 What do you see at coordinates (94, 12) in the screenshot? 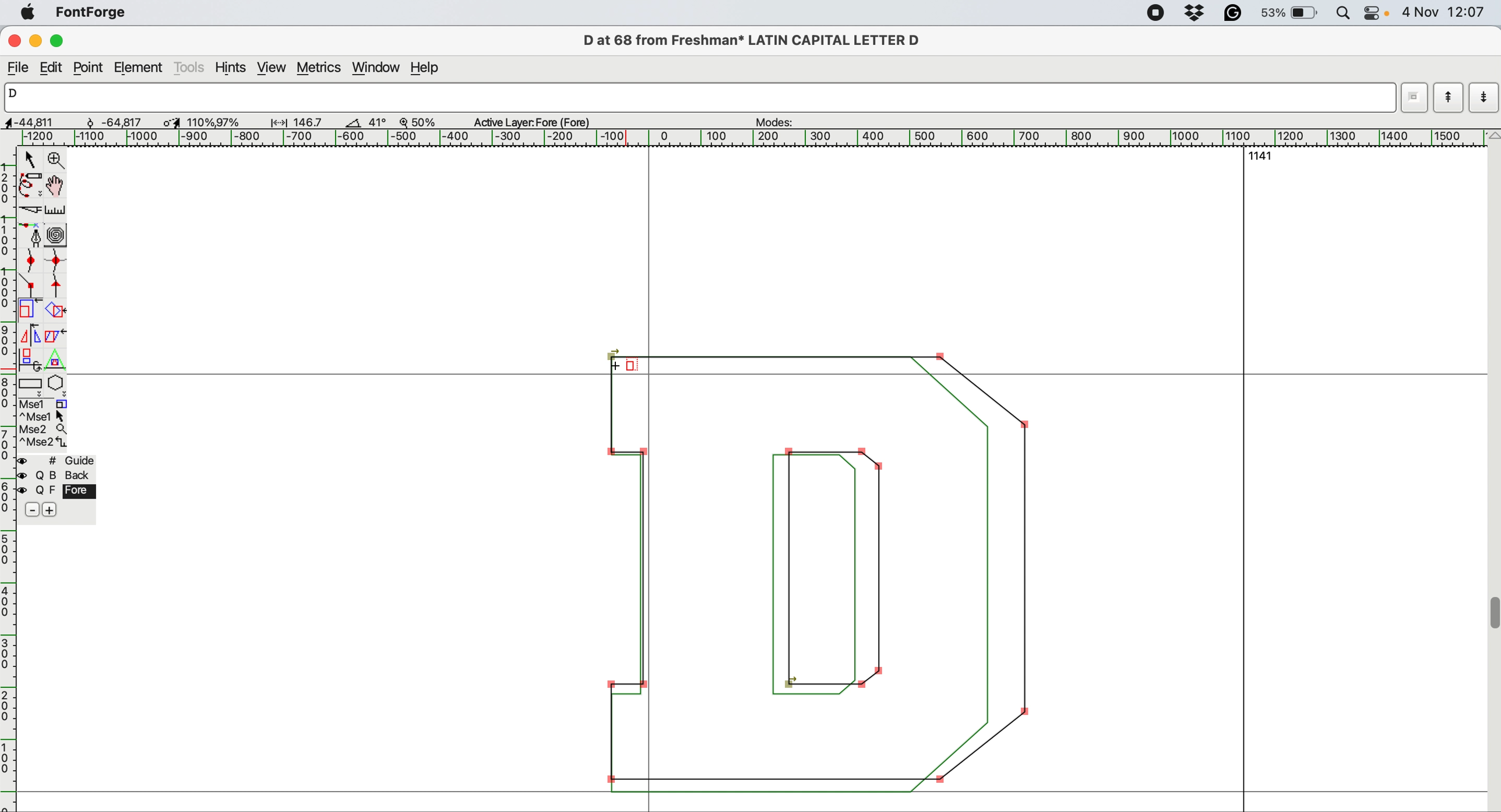
I see `font forge` at bounding box center [94, 12].